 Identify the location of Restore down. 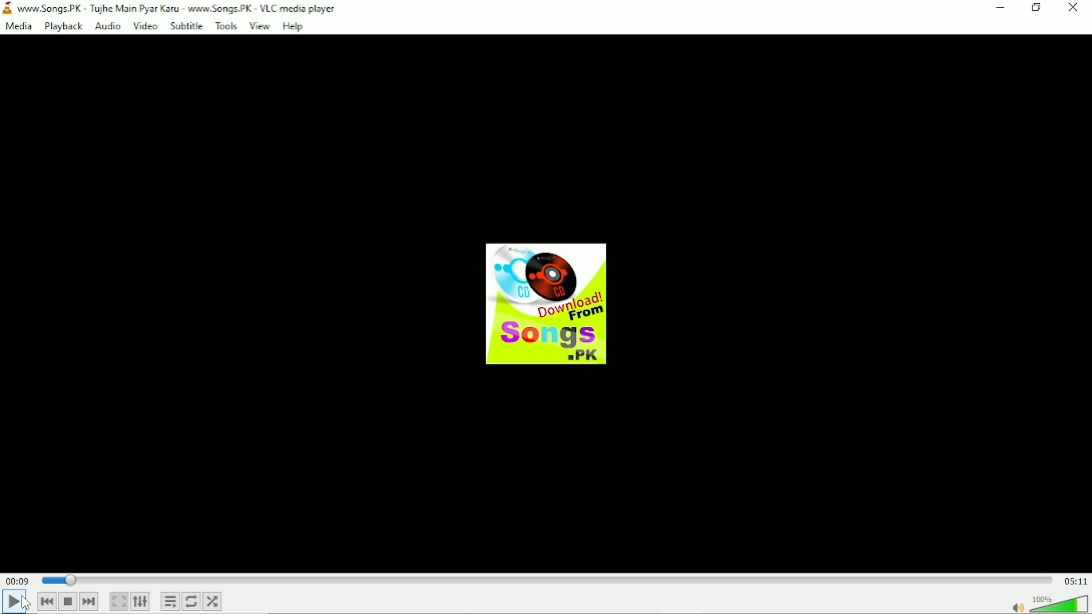
(1032, 10).